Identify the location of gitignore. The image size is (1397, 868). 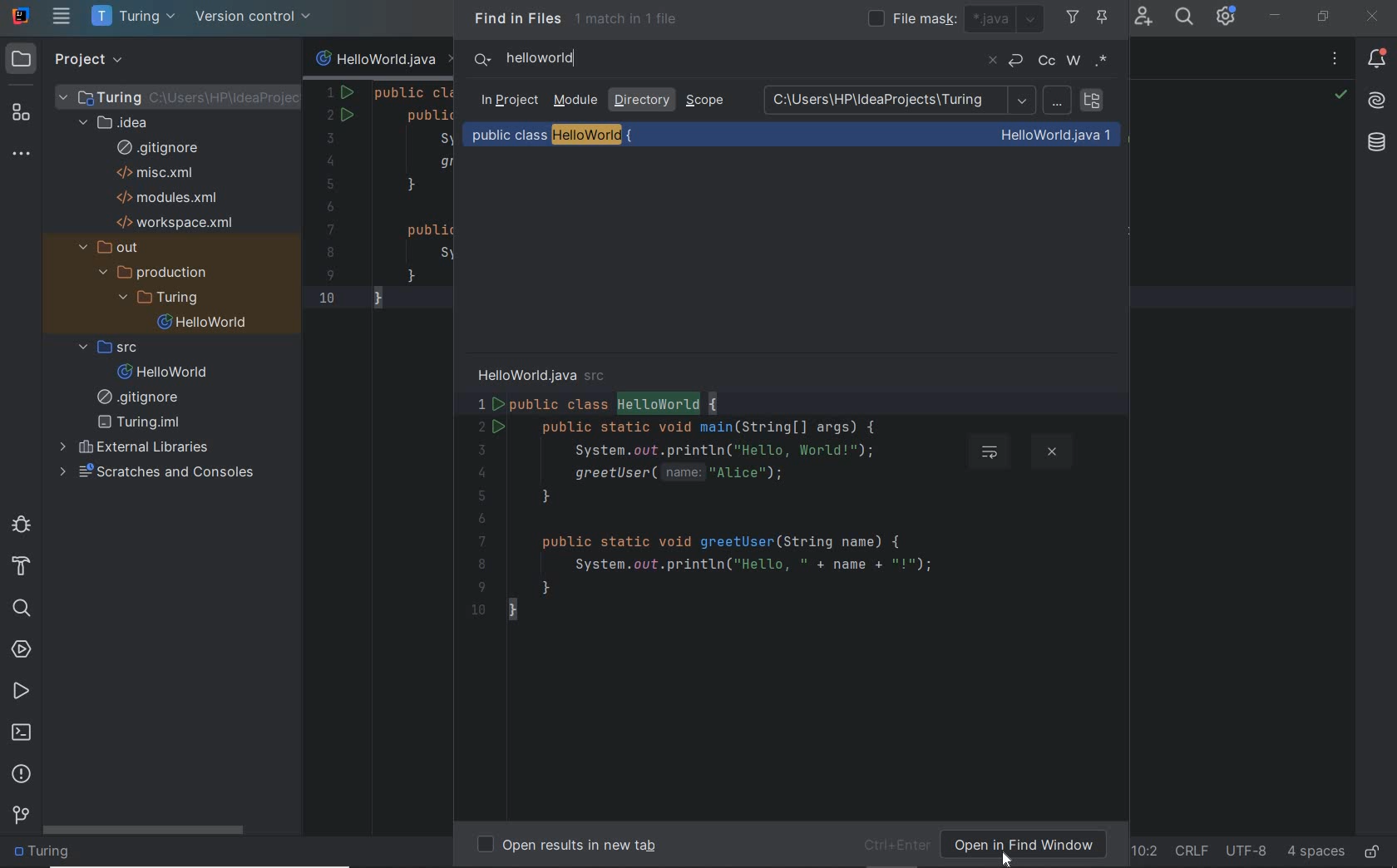
(141, 400).